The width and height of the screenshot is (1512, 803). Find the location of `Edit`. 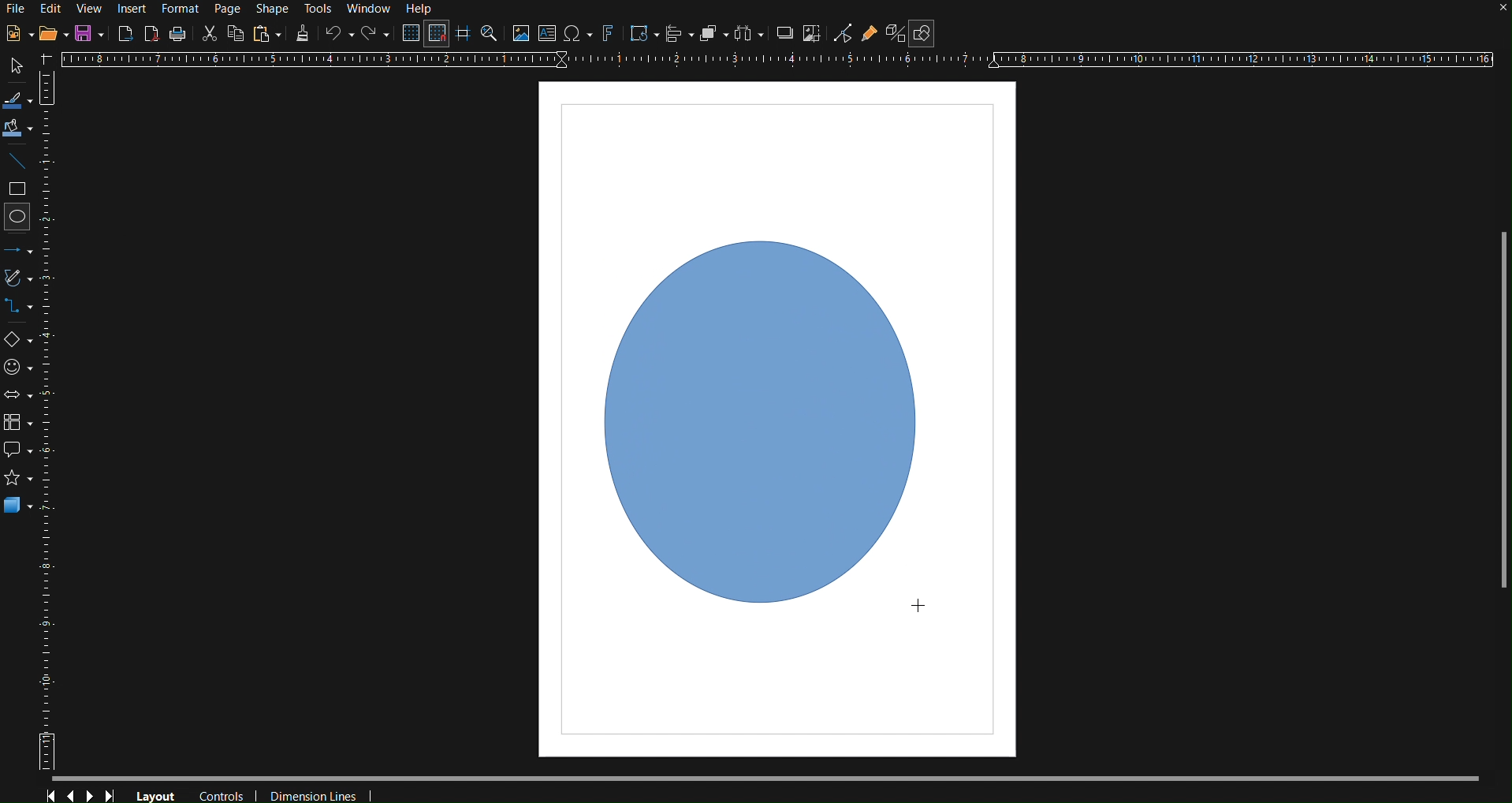

Edit is located at coordinates (51, 8).